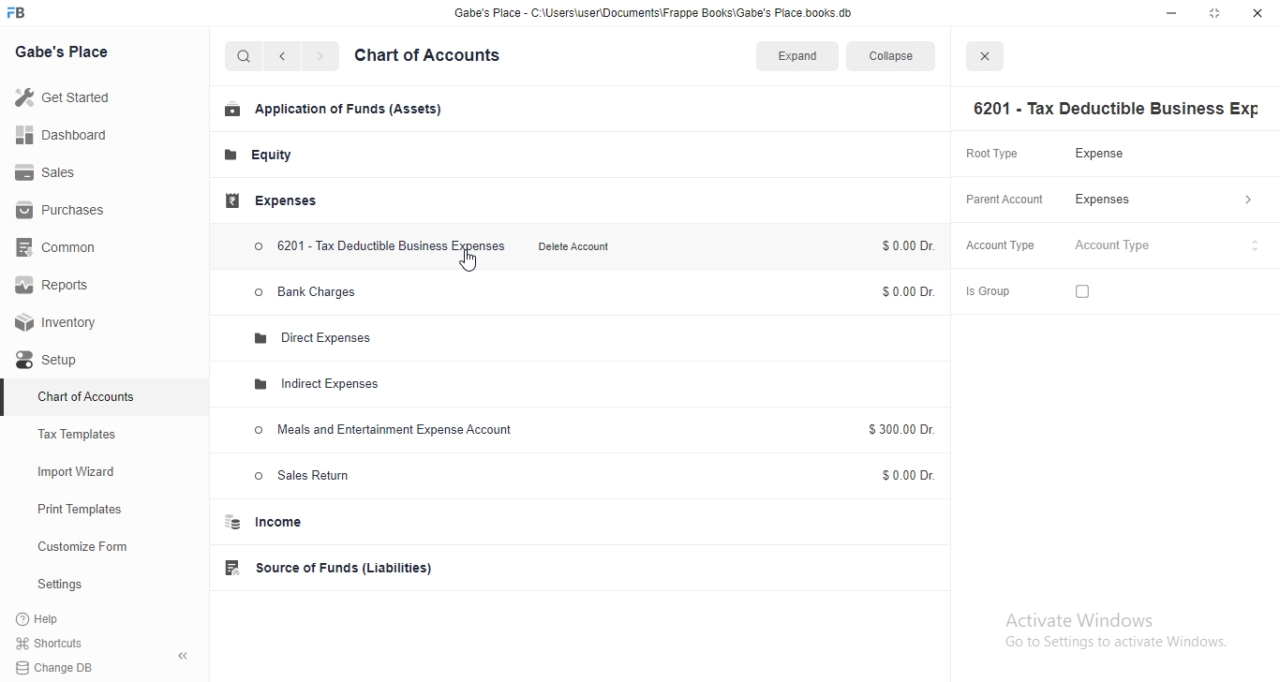  I want to click on Income, so click(279, 524).